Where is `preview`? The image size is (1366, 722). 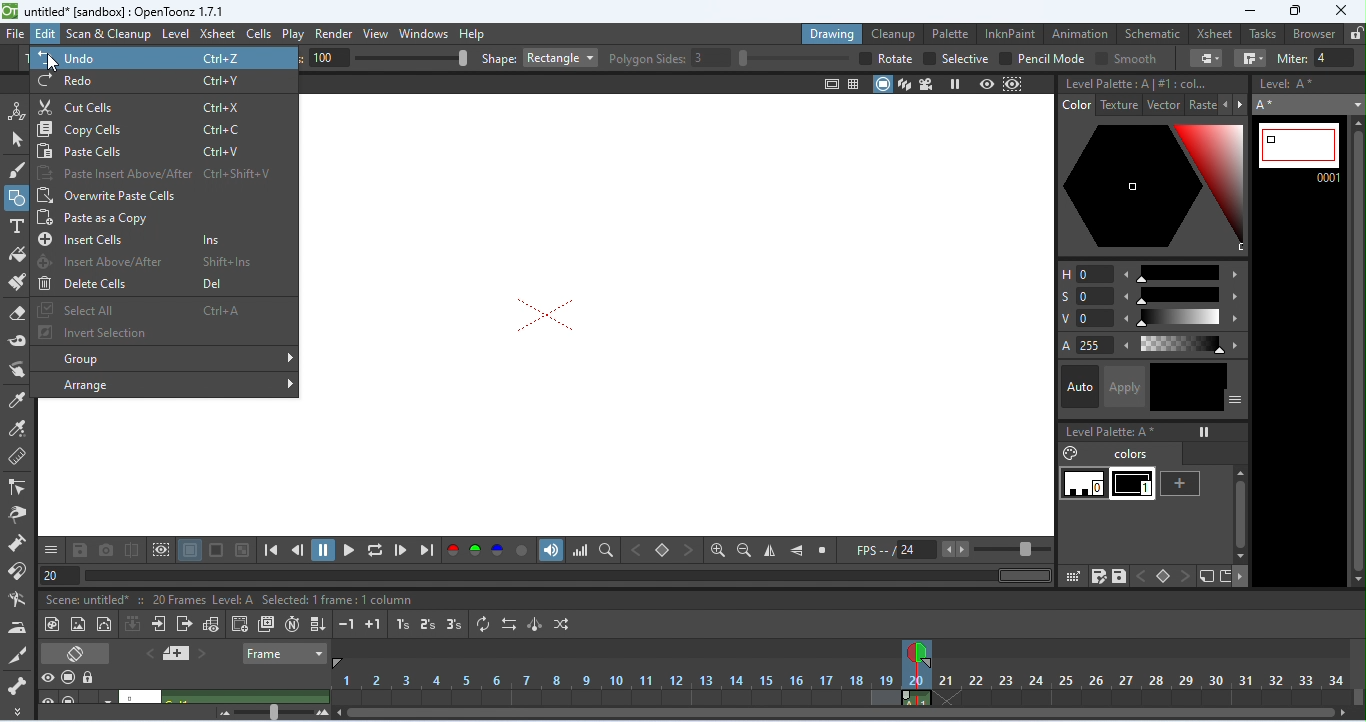 preview is located at coordinates (986, 84).